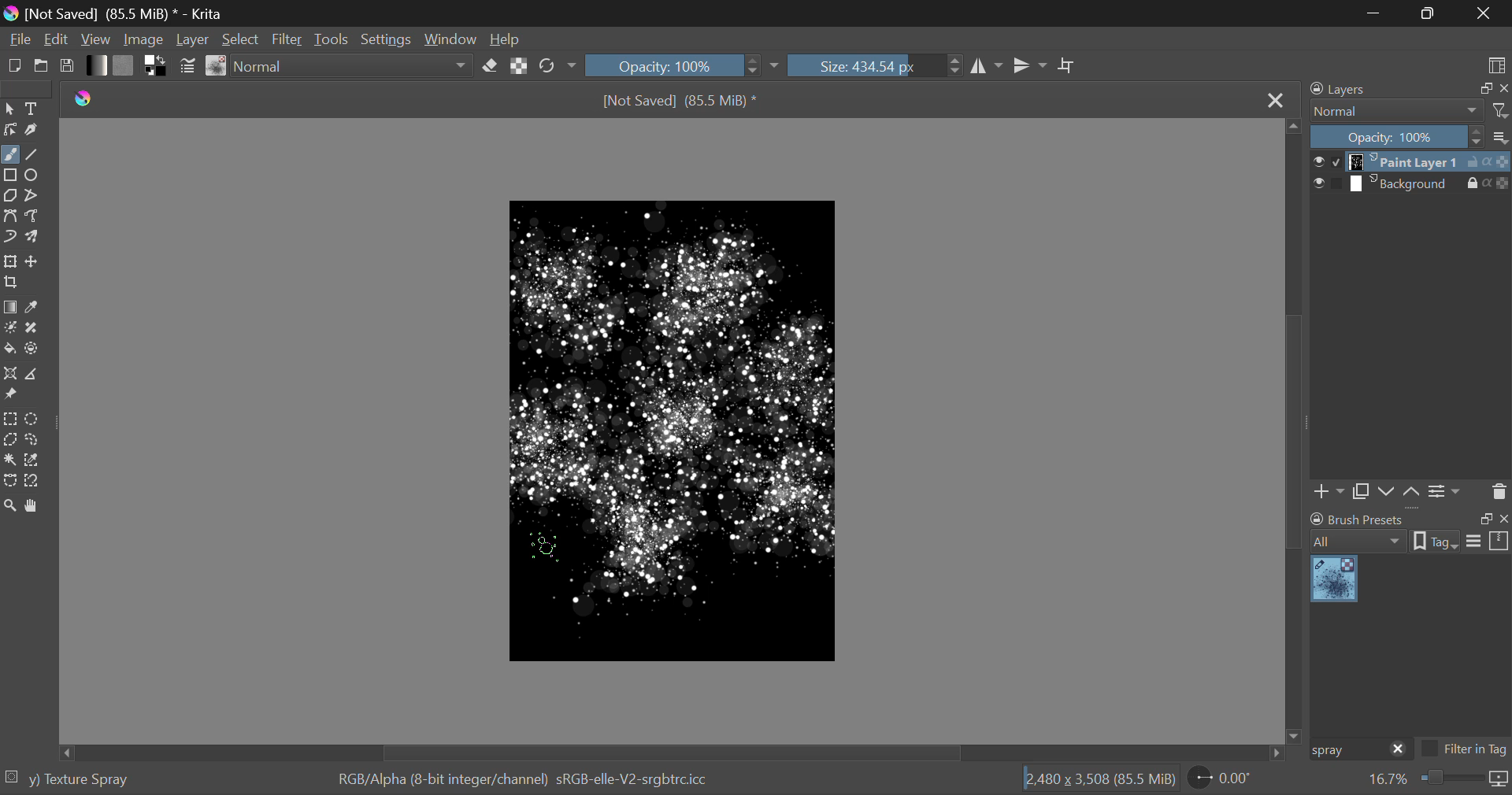 The height and width of the screenshot is (795, 1512). Describe the element at coordinates (35, 107) in the screenshot. I see `Text` at that location.